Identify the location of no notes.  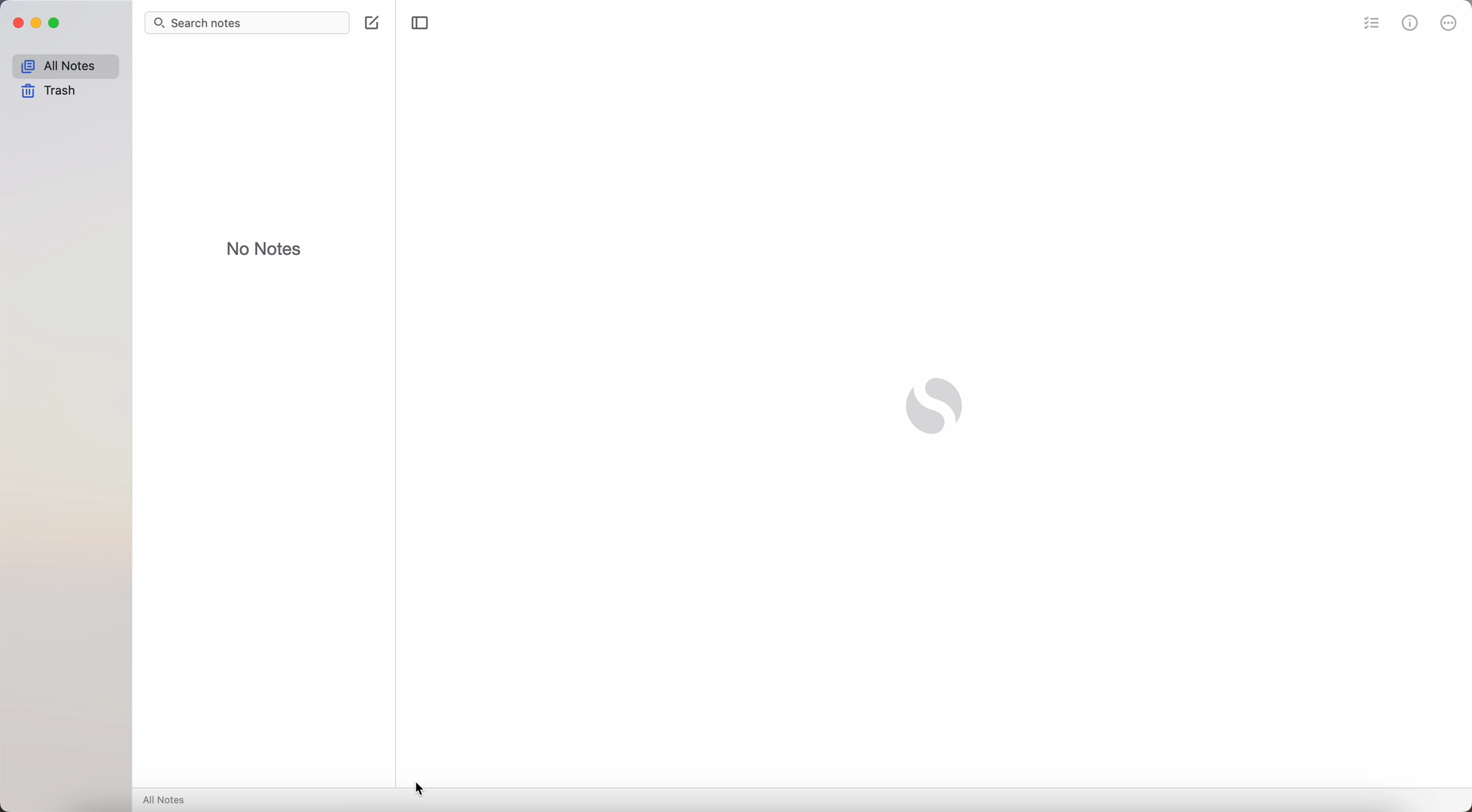
(264, 249).